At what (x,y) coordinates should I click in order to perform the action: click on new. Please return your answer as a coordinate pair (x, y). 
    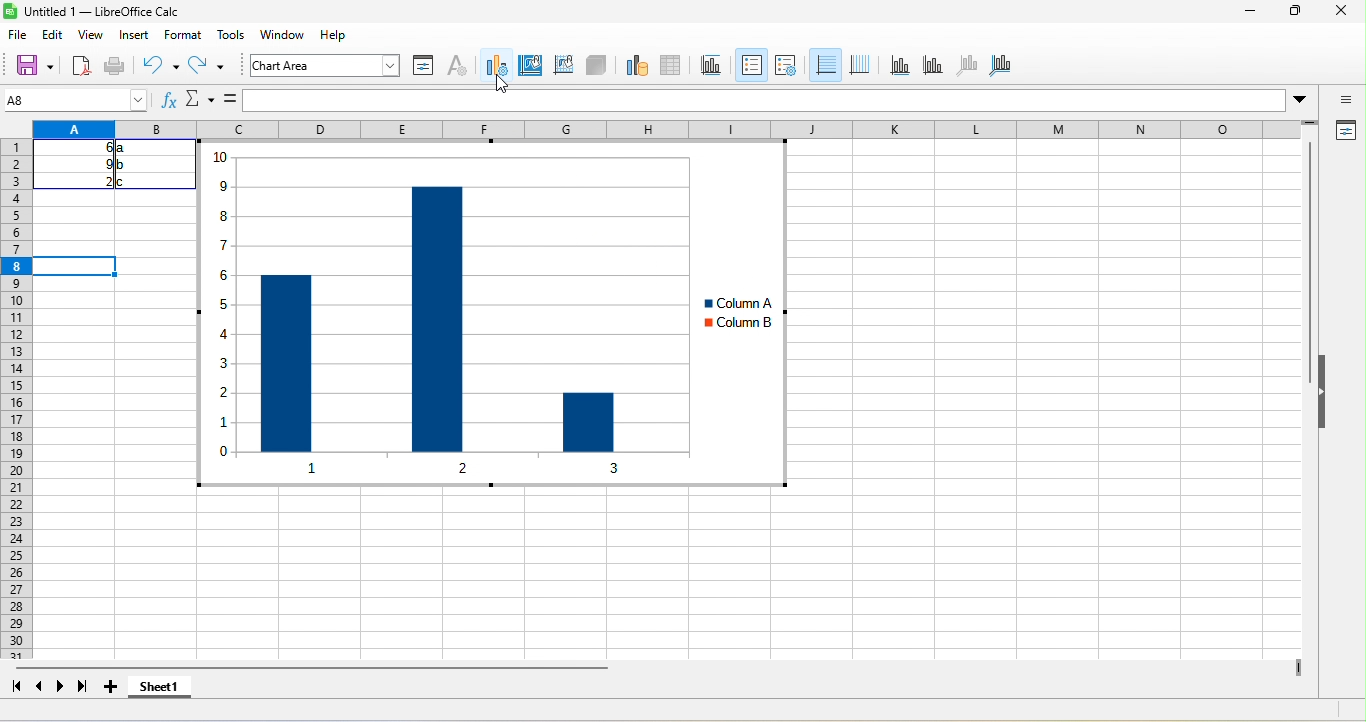
    Looking at the image, I should click on (28, 64).